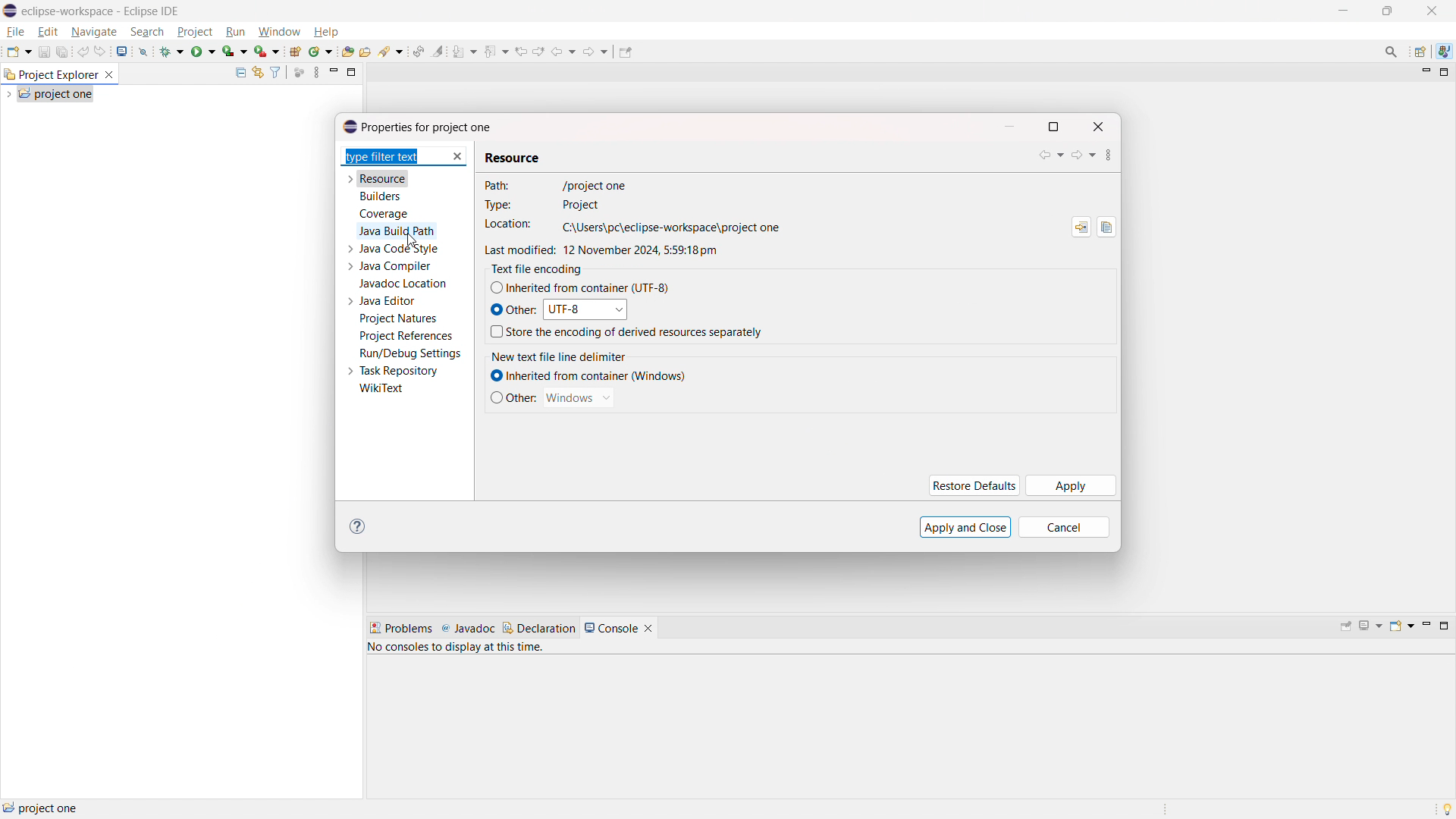 The width and height of the screenshot is (1456, 819). I want to click on maximize, so click(1444, 626).